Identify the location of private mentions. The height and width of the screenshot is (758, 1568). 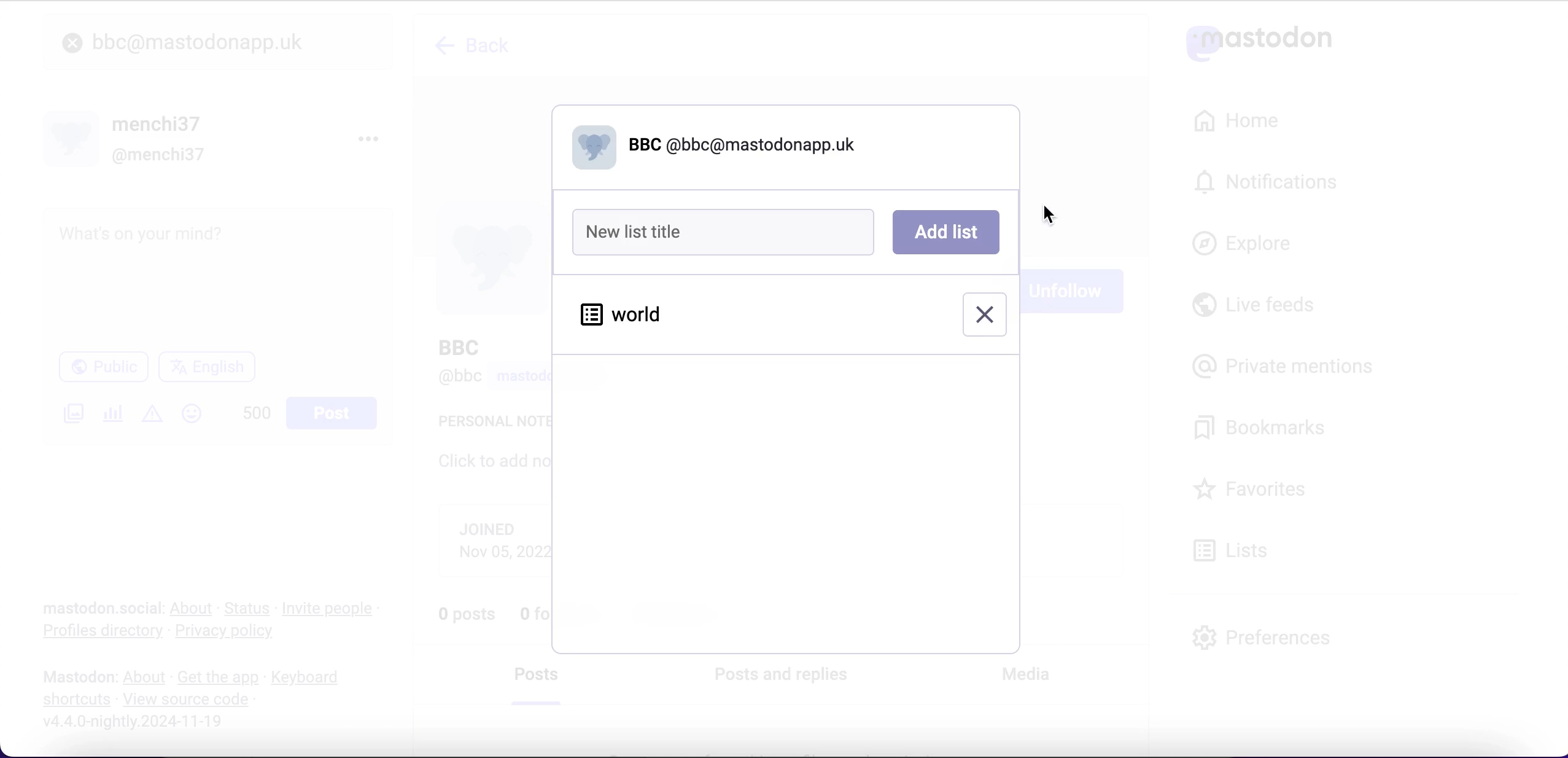
(1287, 363).